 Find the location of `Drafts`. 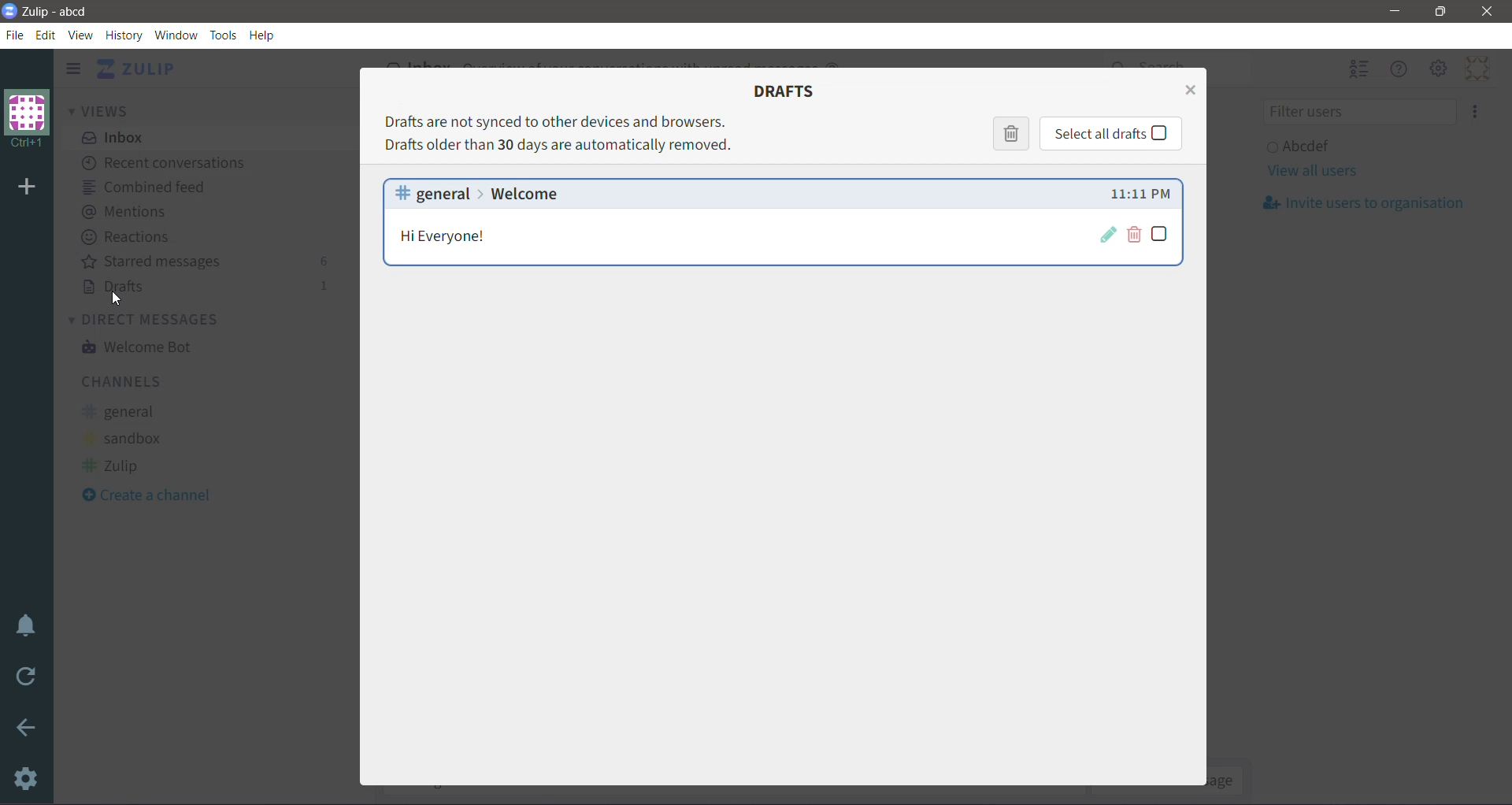

Drafts is located at coordinates (120, 287).